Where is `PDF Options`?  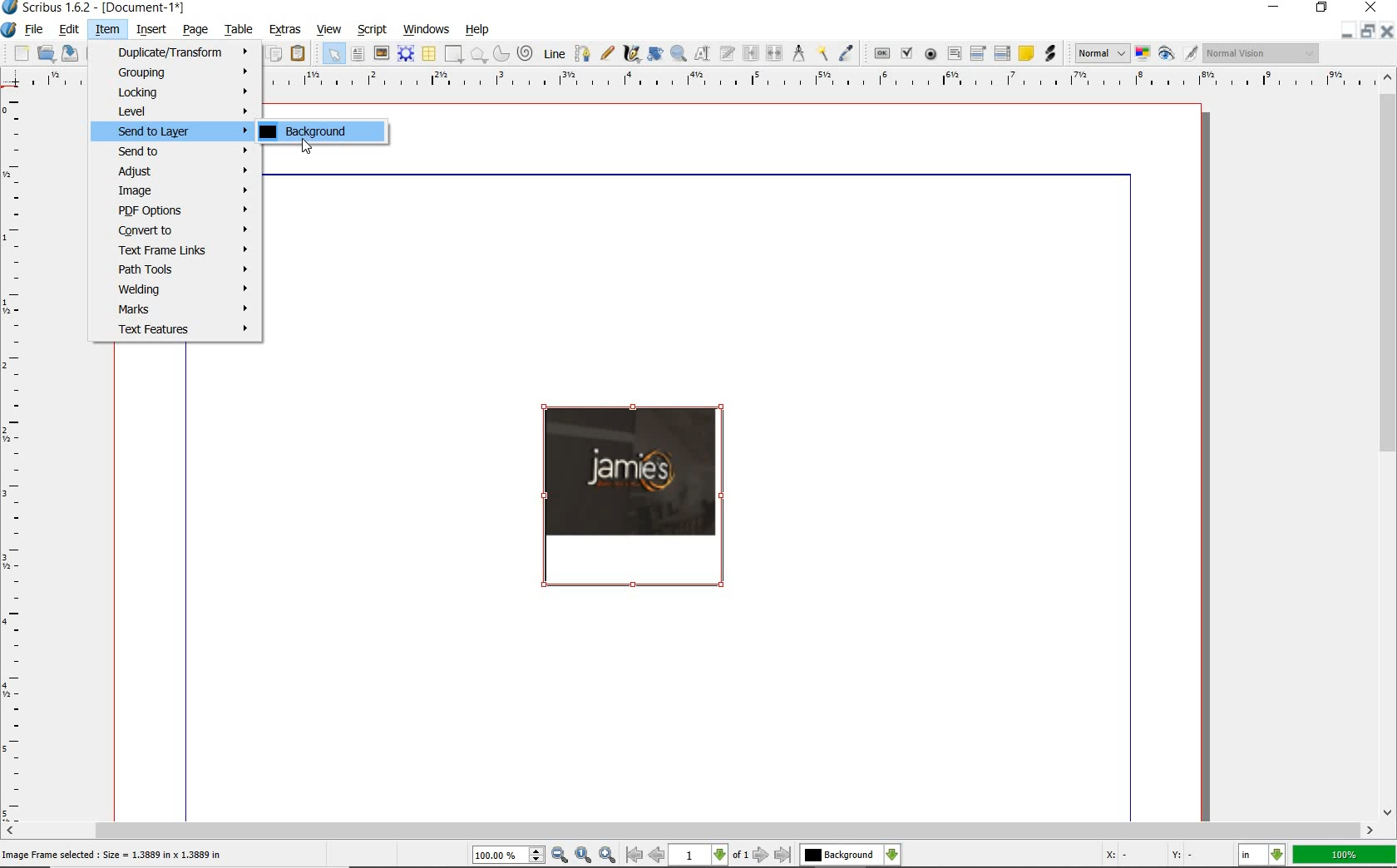 PDF Options is located at coordinates (176, 210).